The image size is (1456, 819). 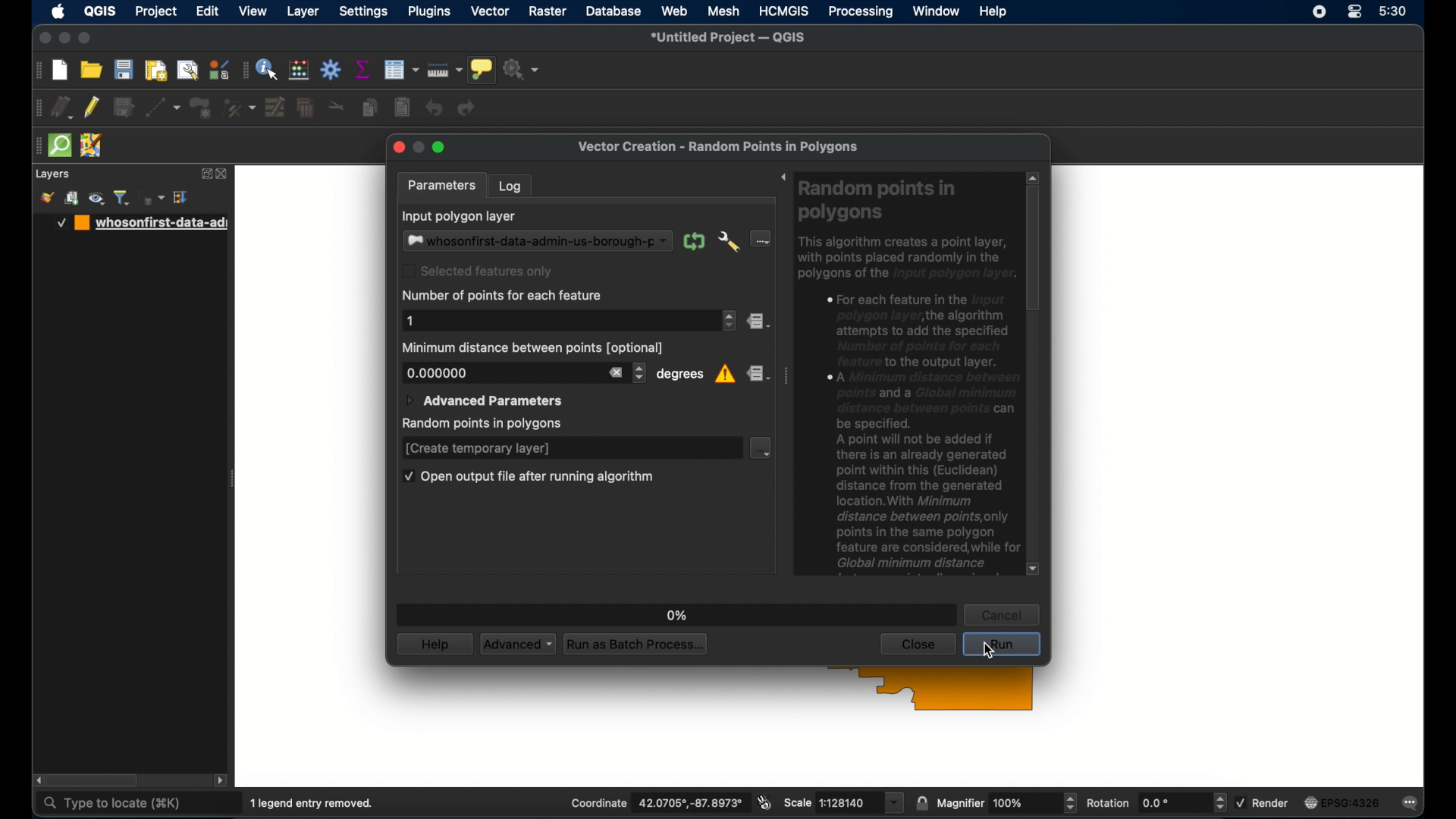 What do you see at coordinates (918, 645) in the screenshot?
I see `close` at bounding box center [918, 645].